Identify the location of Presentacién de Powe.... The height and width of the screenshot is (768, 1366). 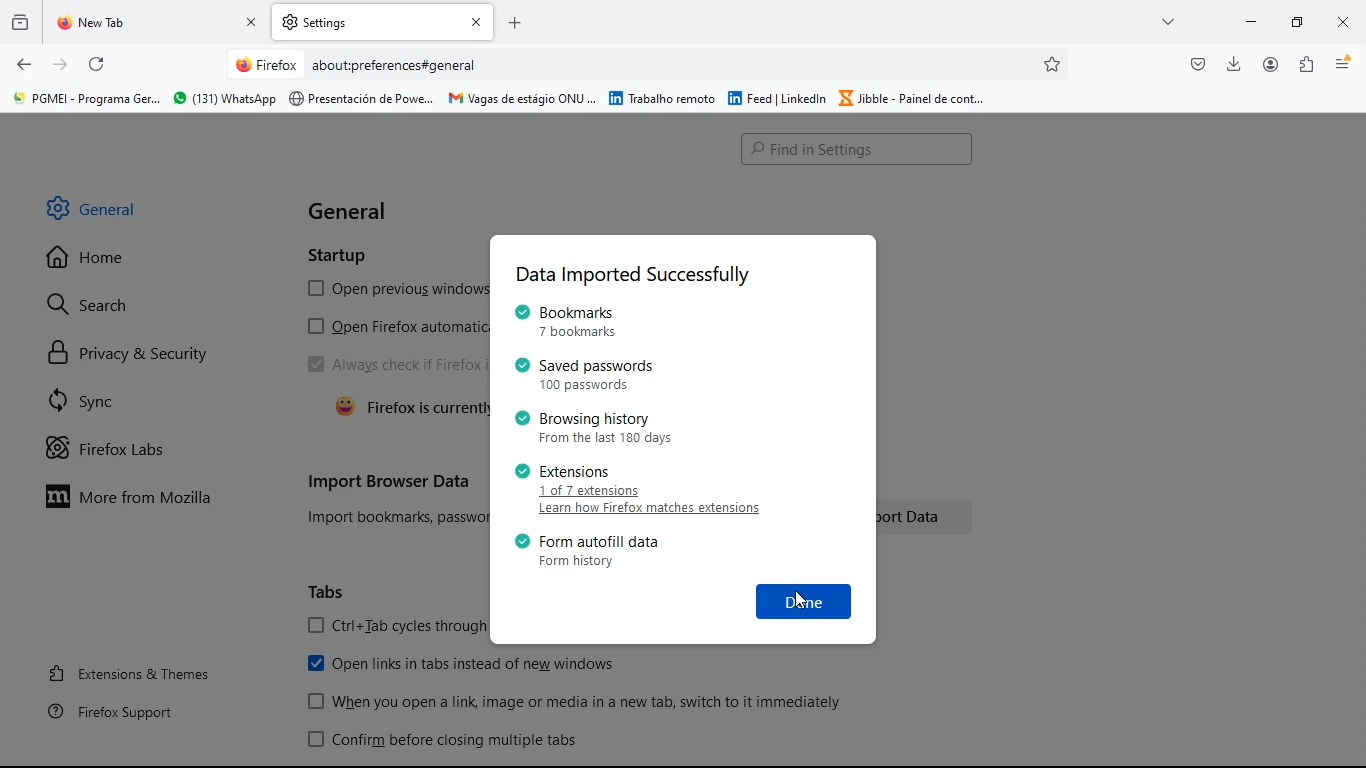
(362, 99).